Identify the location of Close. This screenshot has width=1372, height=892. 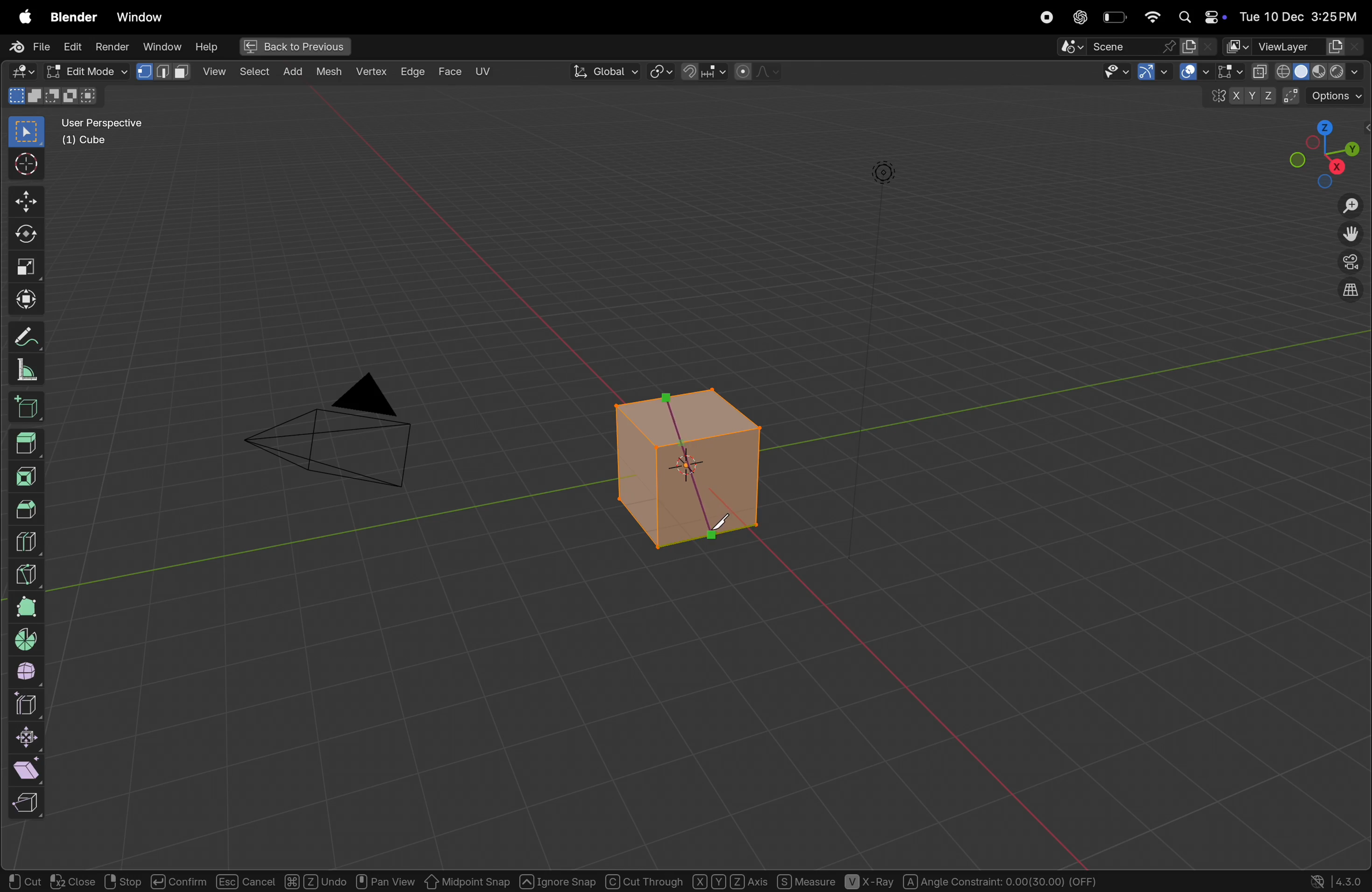
(73, 882).